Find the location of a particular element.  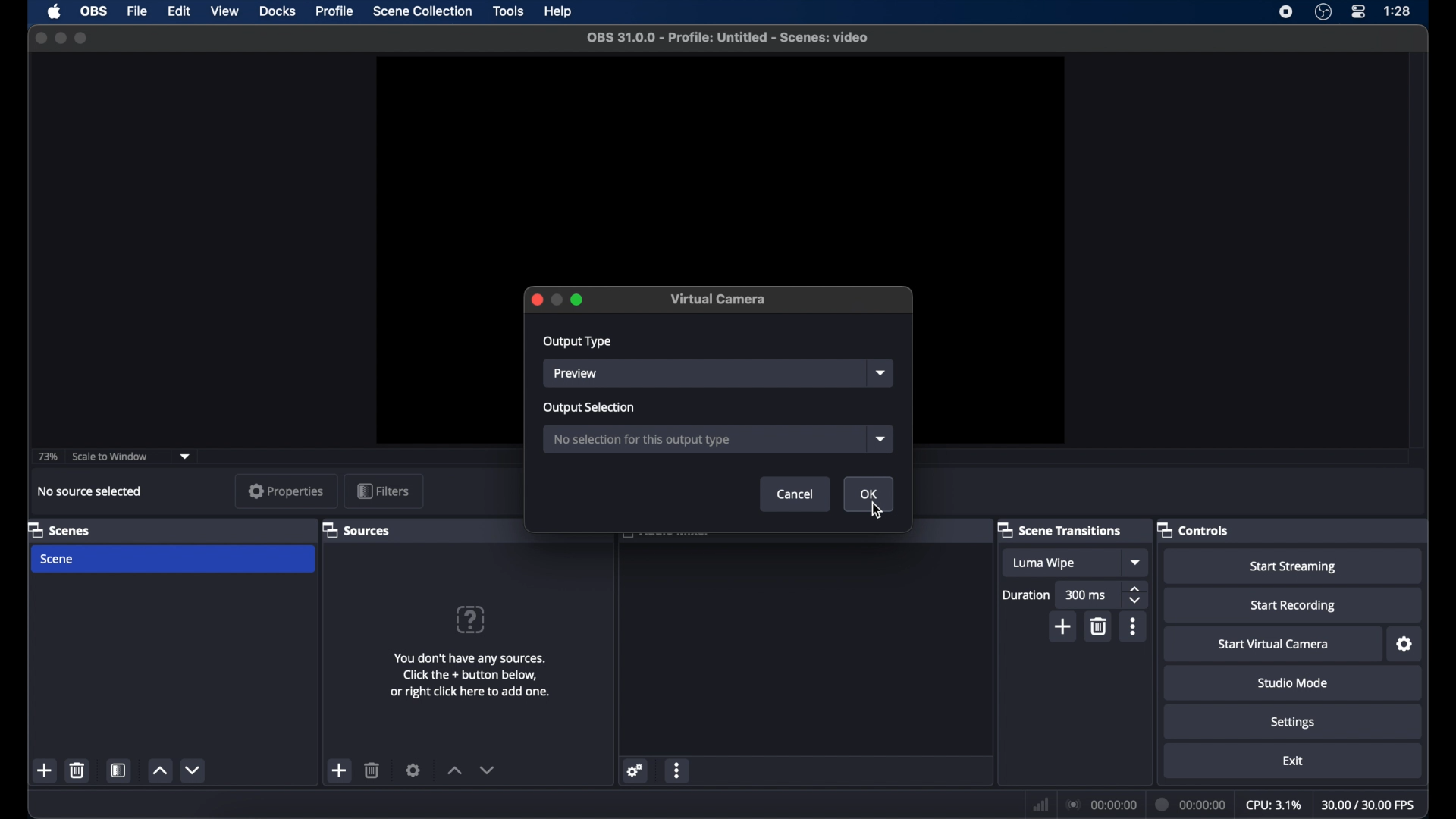

studio mode is located at coordinates (1293, 682).